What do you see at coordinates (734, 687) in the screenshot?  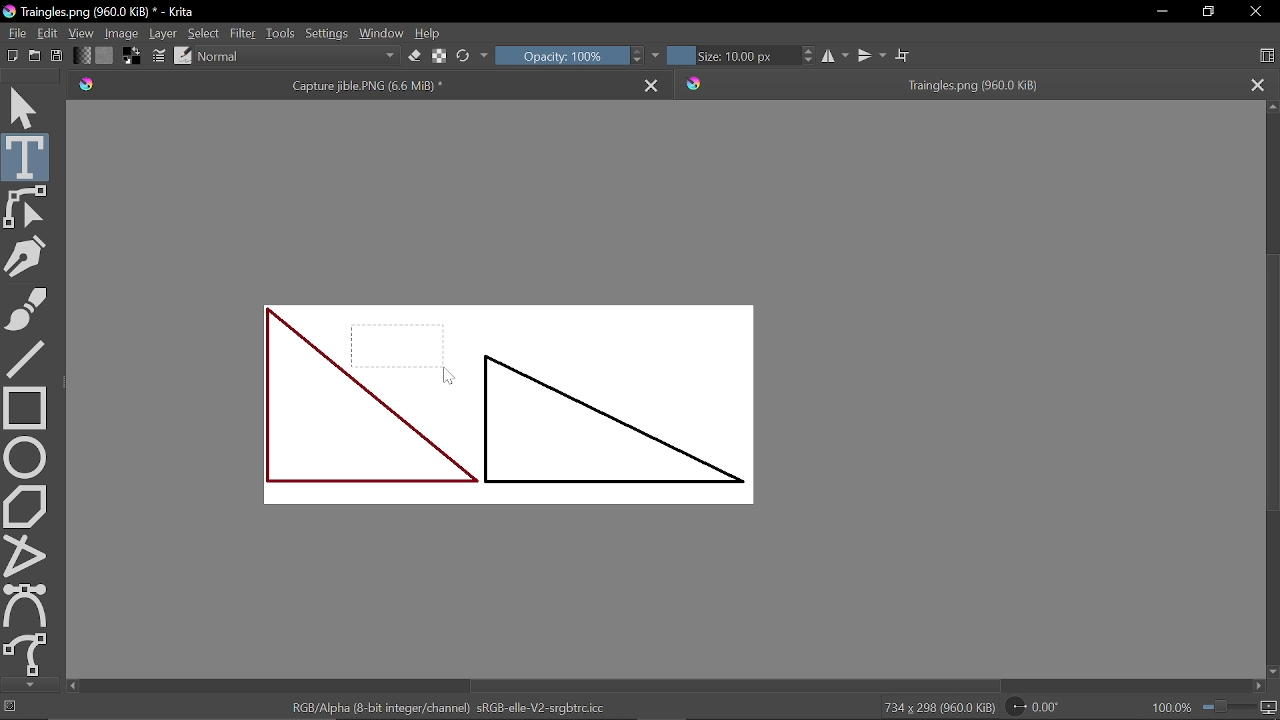 I see `Horizontal scrollbar` at bounding box center [734, 687].